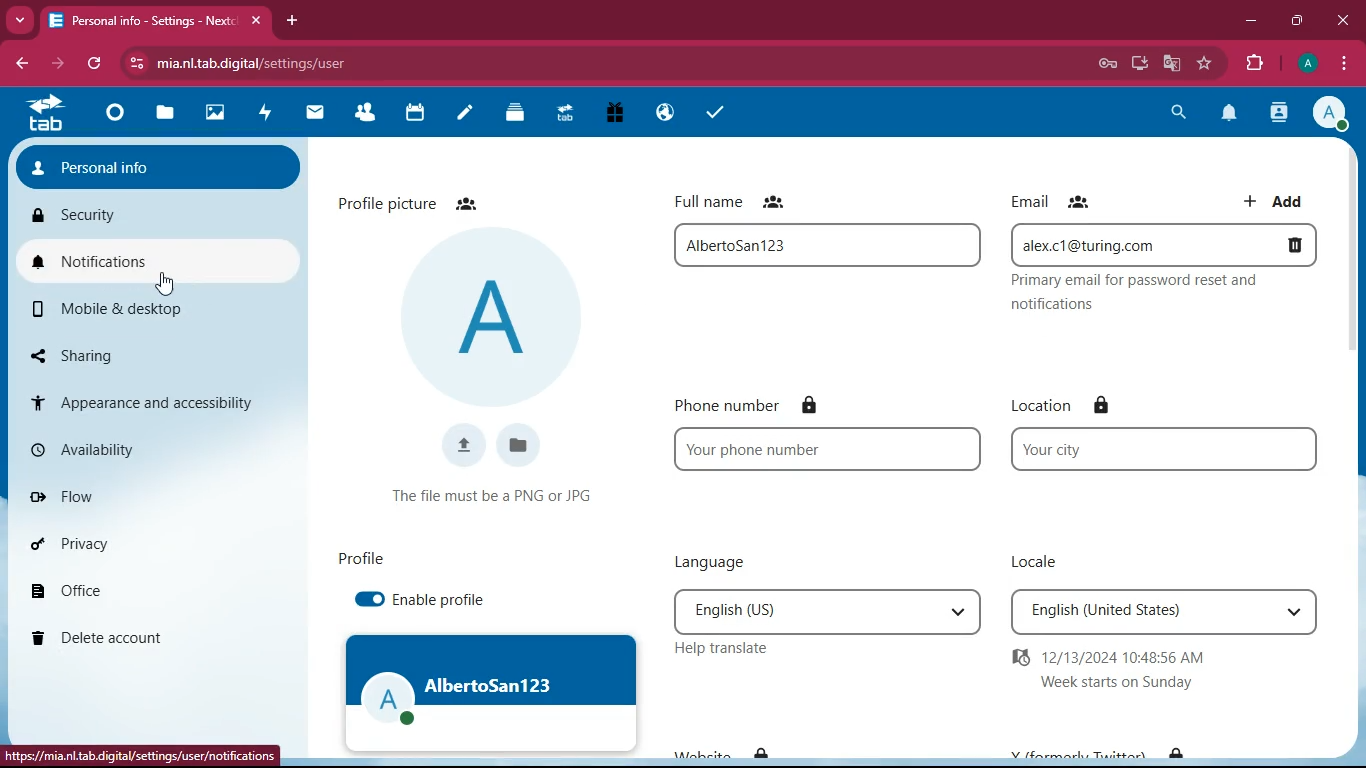 The width and height of the screenshot is (1366, 768). I want to click on security, so click(158, 213).